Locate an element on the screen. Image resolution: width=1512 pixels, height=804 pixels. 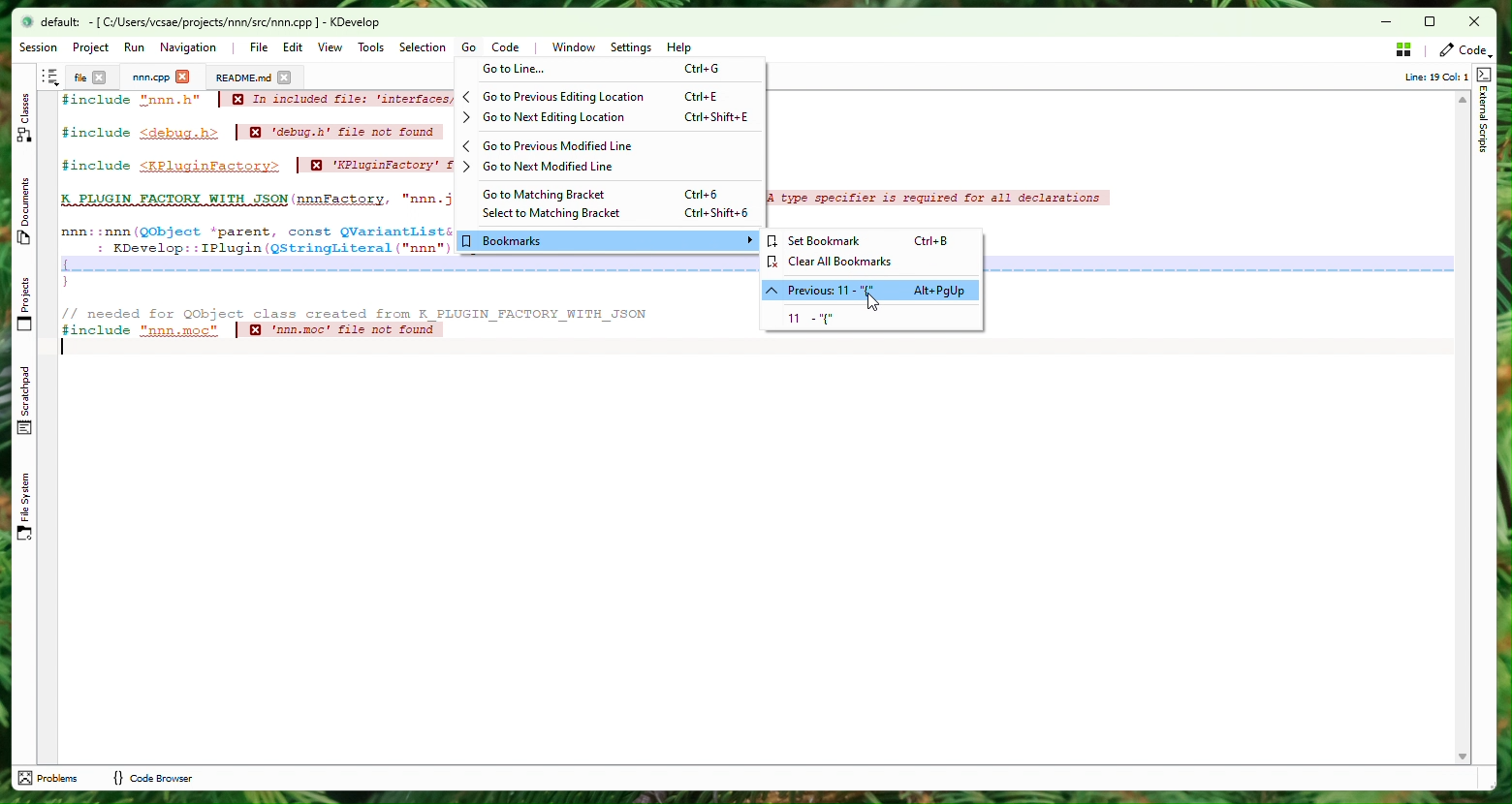
Run is located at coordinates (134, 46).